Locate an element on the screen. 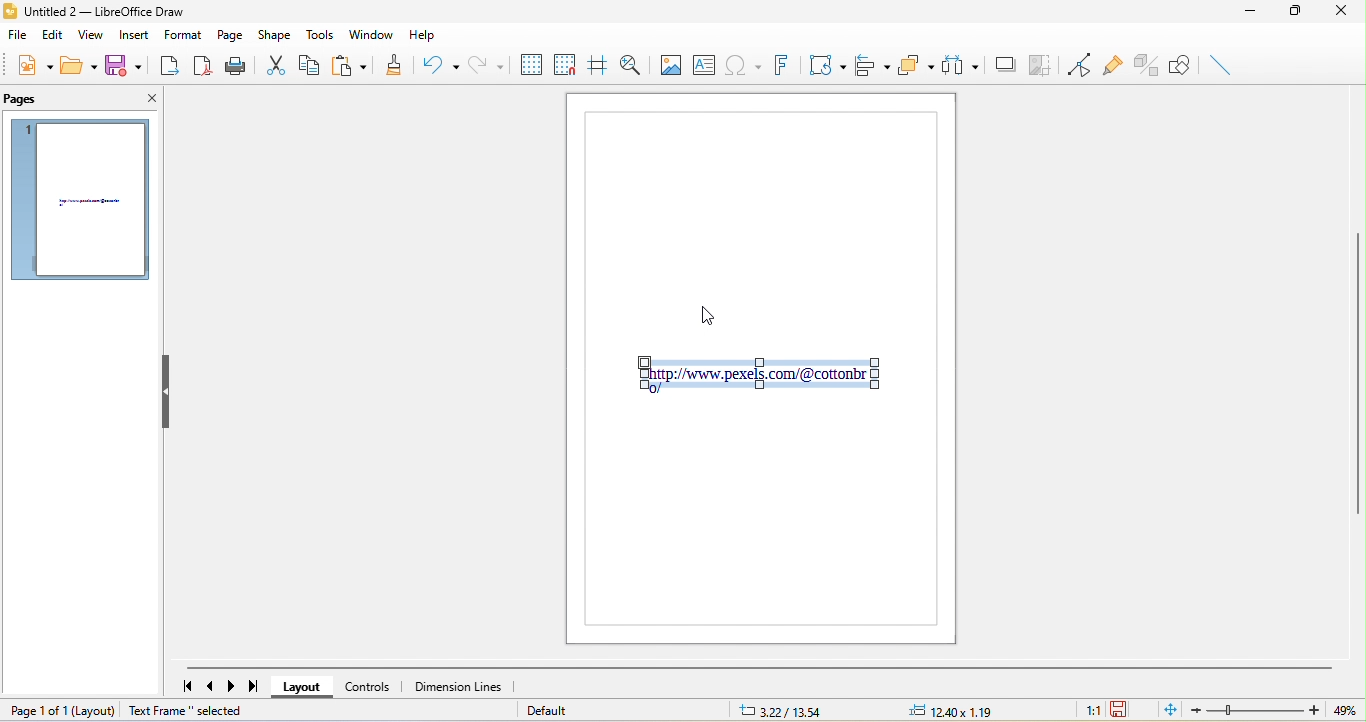  crop image is located at coordinates (1037, 61).